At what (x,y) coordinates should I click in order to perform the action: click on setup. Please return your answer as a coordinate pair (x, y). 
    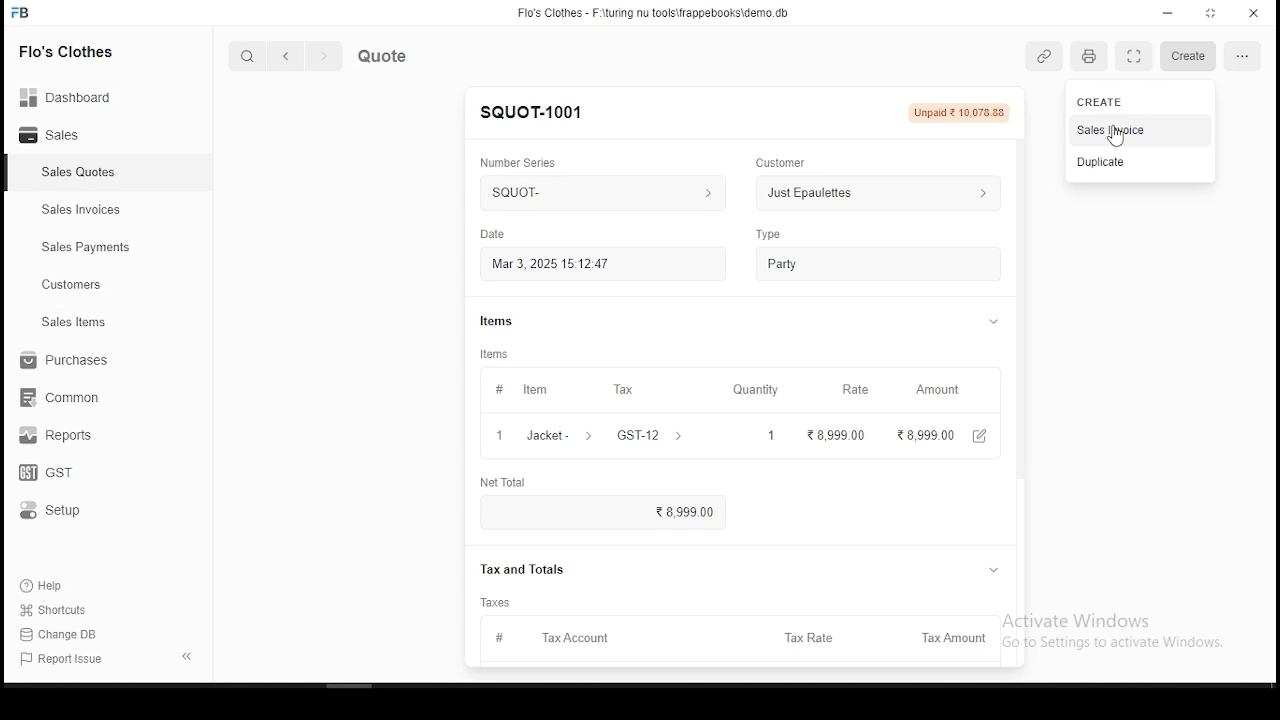
    Looking at the image, I should click on (66, 511).